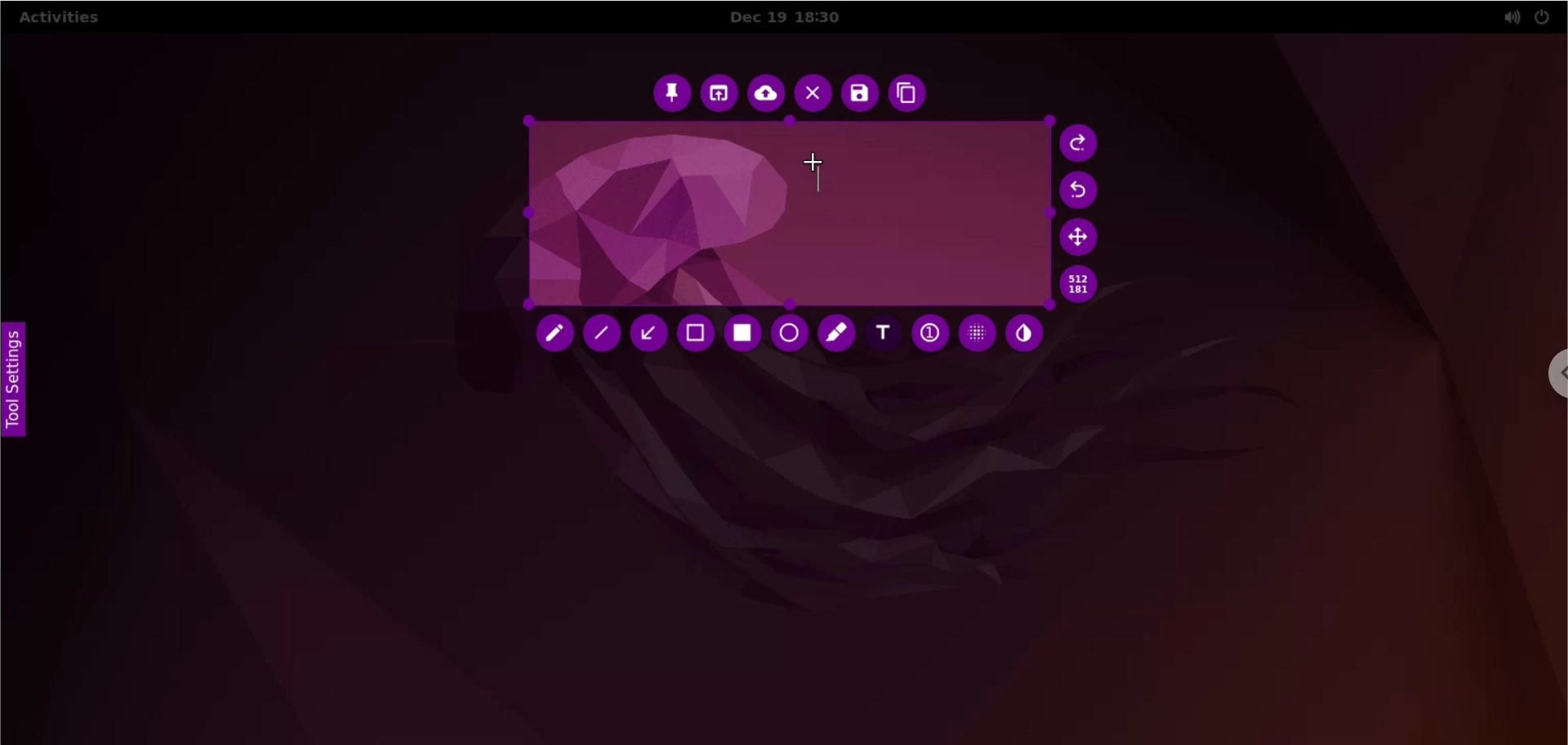  I want to click on pencil tool, so click(555, 336).